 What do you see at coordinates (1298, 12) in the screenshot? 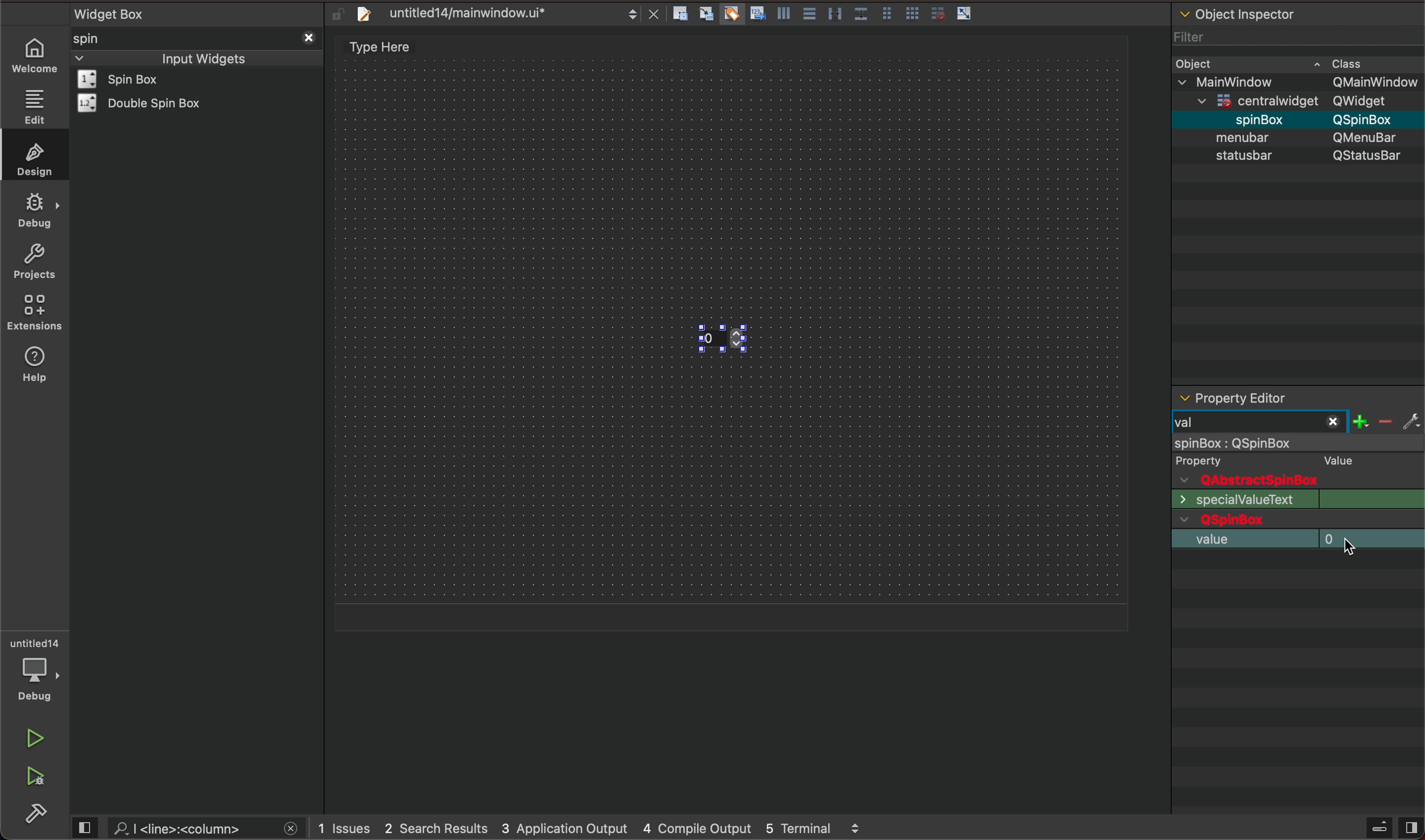
I see `object inspector` at bounding box center [1298, 12].